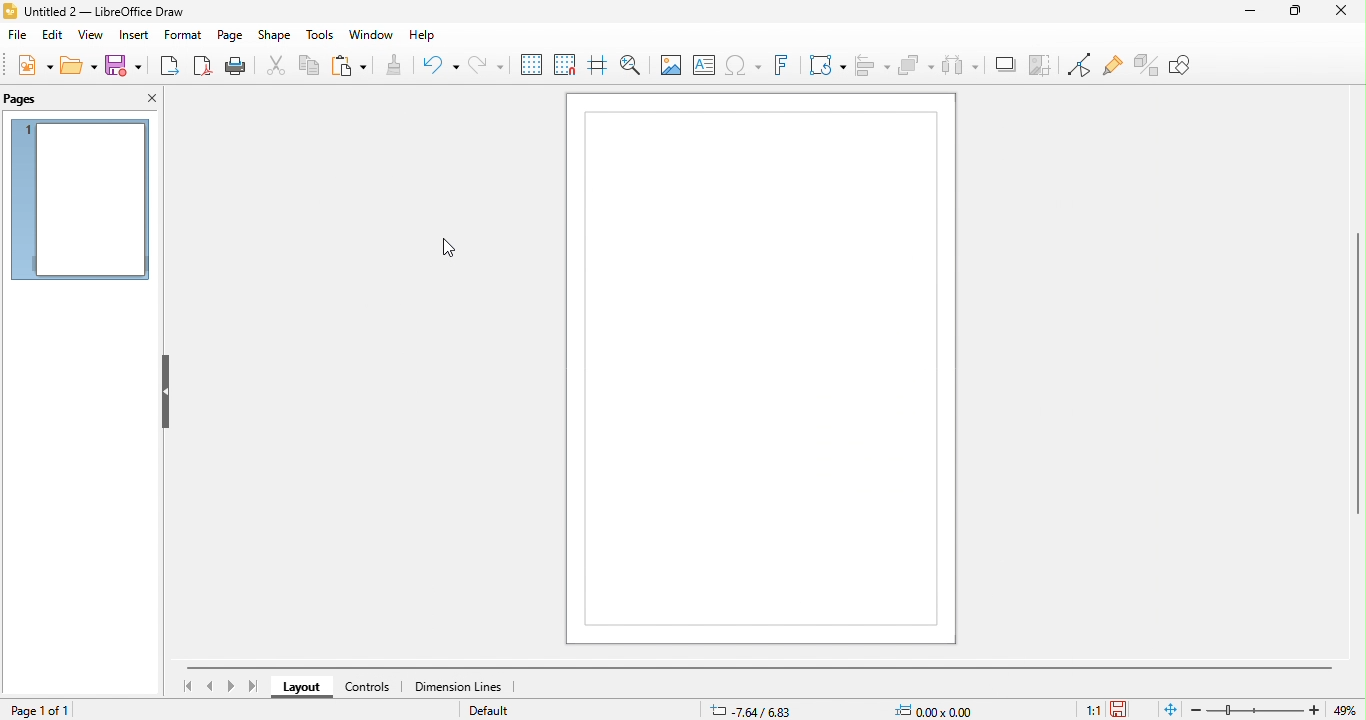 The height and width of the screenshot is (720, 1366). I want to click on print, so click(235, 66).